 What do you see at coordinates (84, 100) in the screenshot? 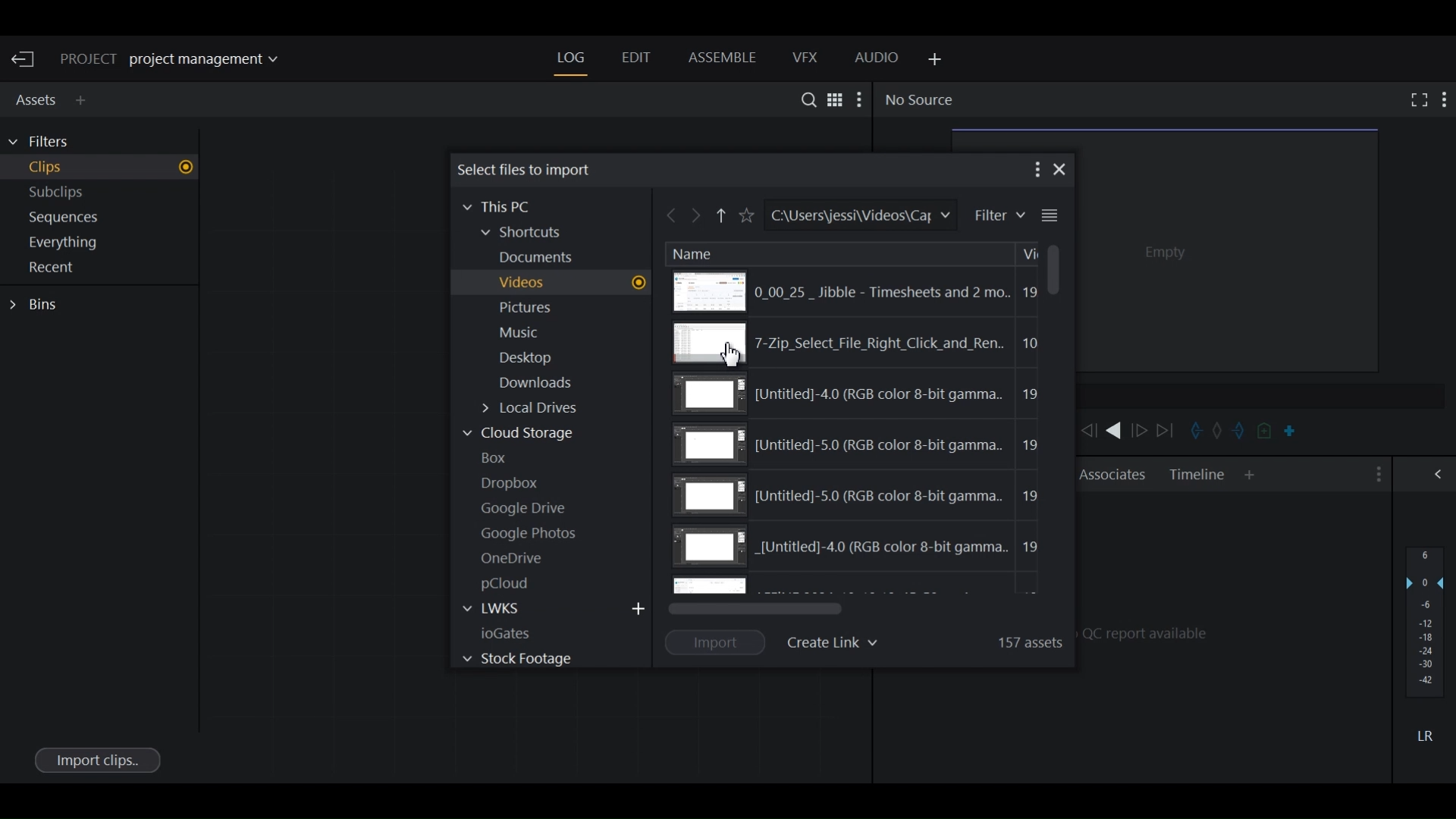
I see `Add Panel` at bounding box center [84, 100].